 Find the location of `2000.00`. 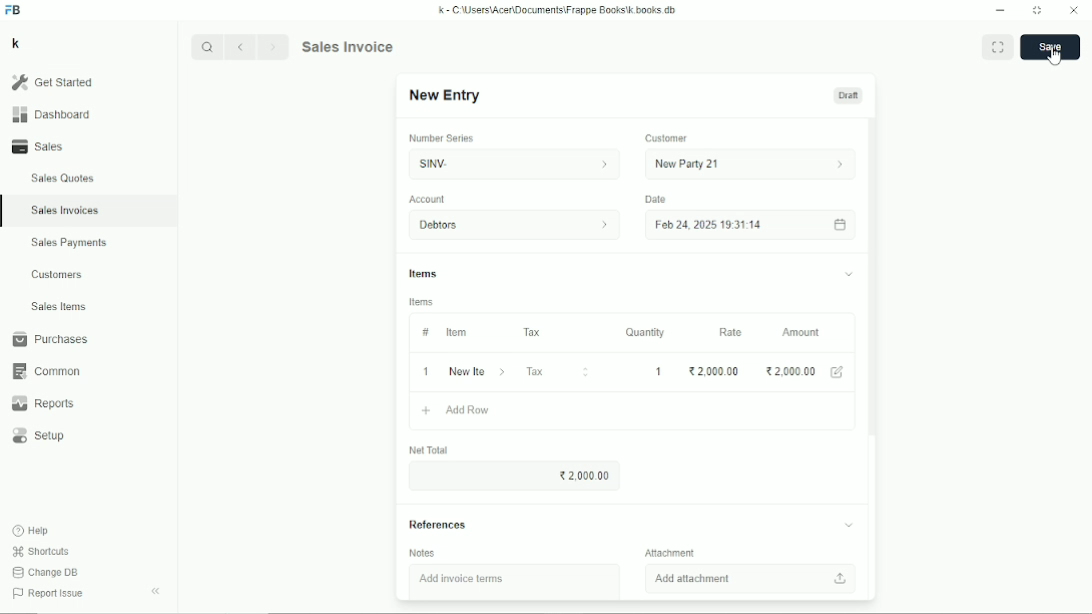

2000.00 is located at coordinates (713, 371).